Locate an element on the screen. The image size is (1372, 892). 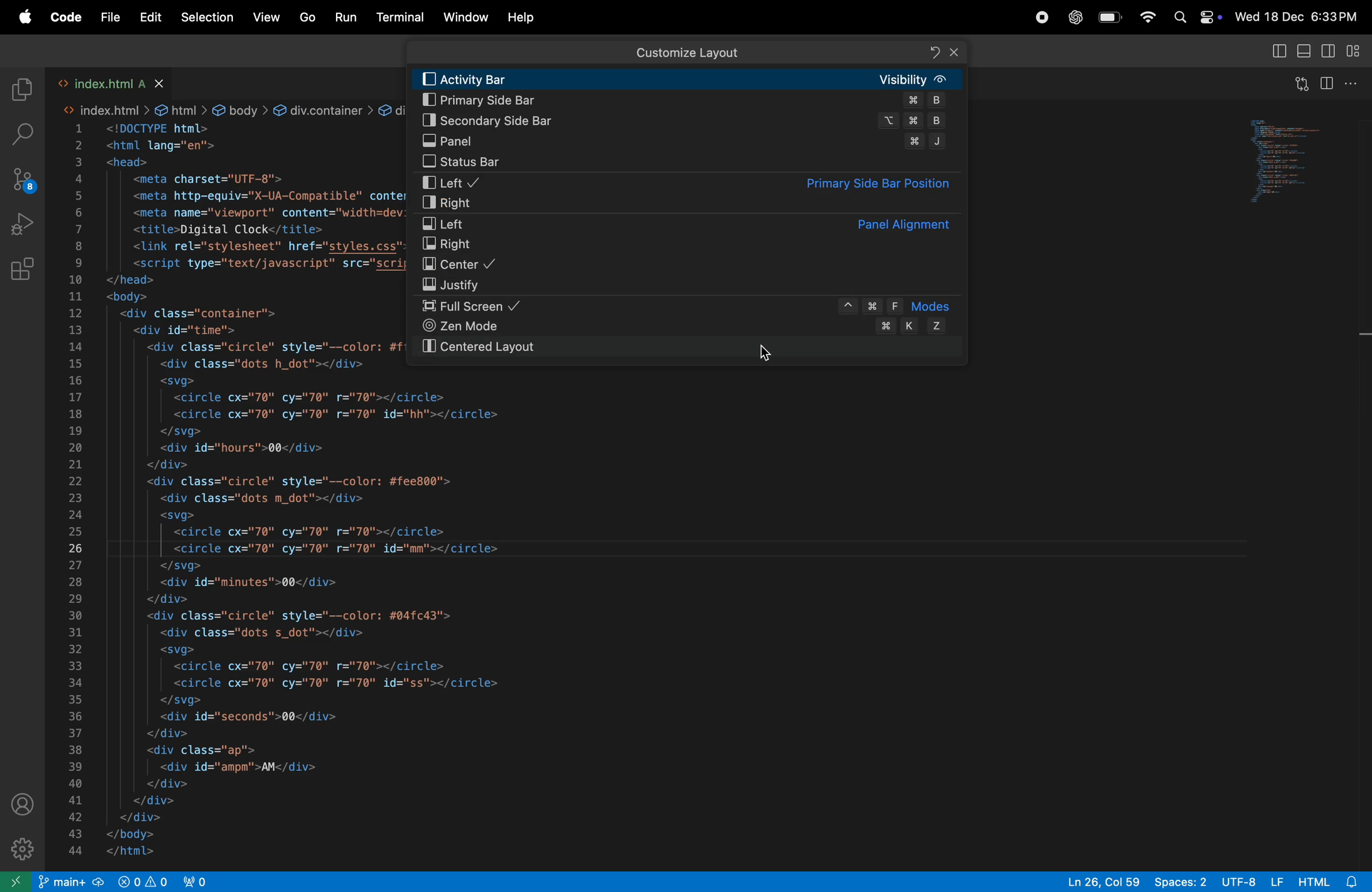
Spotlight is located at coordinates (1177, 18).